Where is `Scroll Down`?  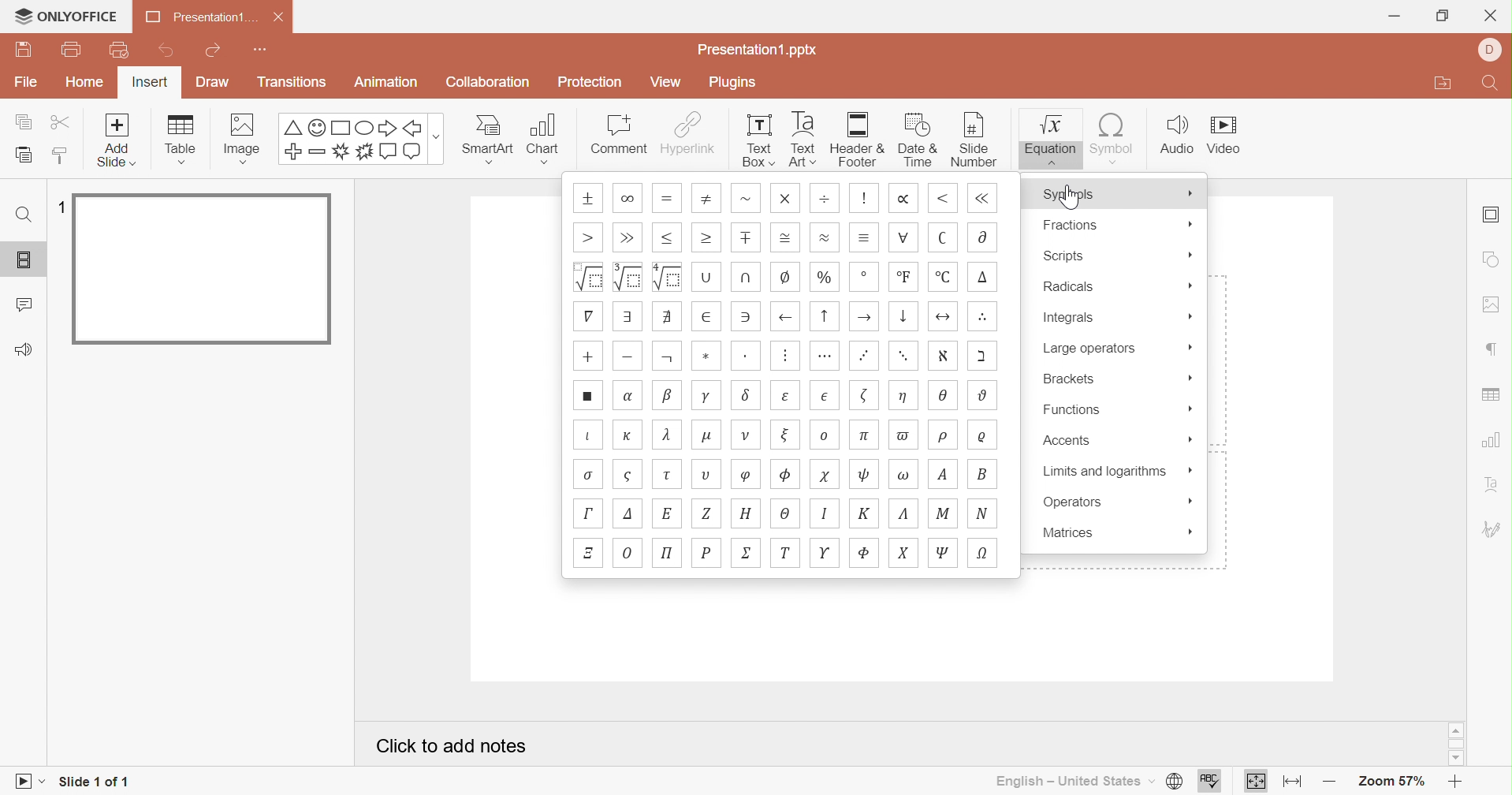
Scroll Down is located at coordinates (1456, 759).